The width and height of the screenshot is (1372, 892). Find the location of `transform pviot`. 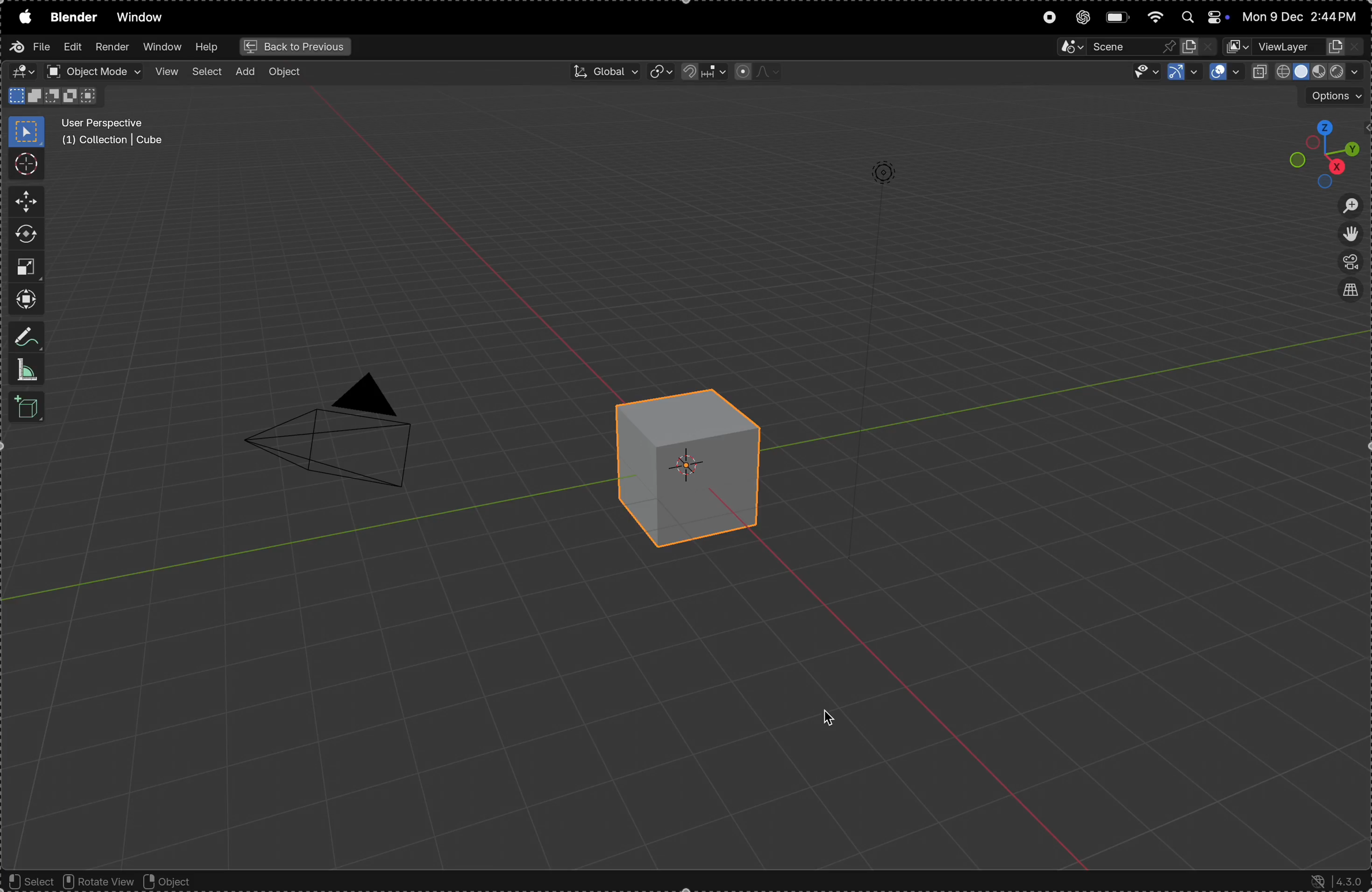

transform pviot is located at coordinates (659, 73).